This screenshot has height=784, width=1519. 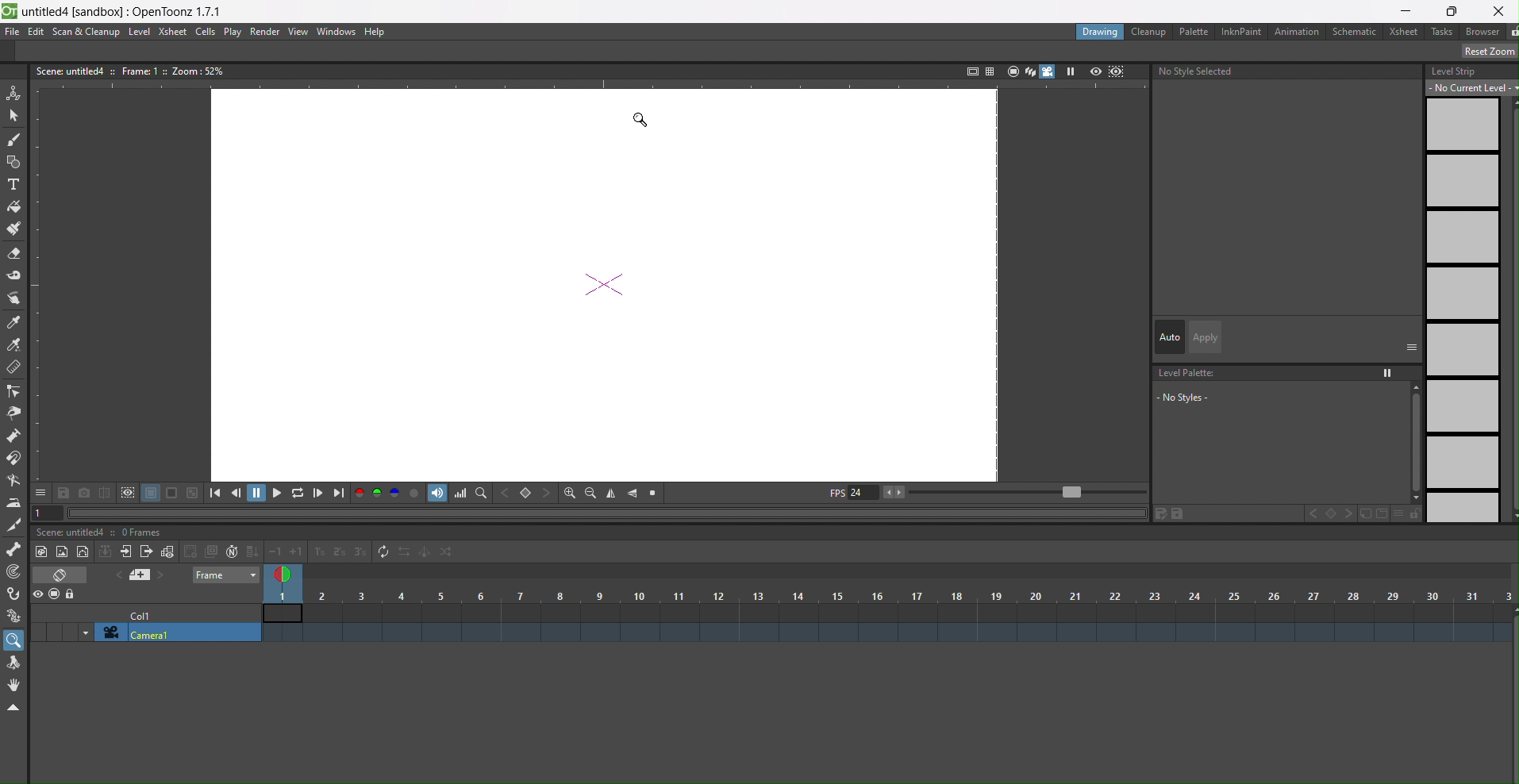 I want to click on help, so click(x=375, y=31).